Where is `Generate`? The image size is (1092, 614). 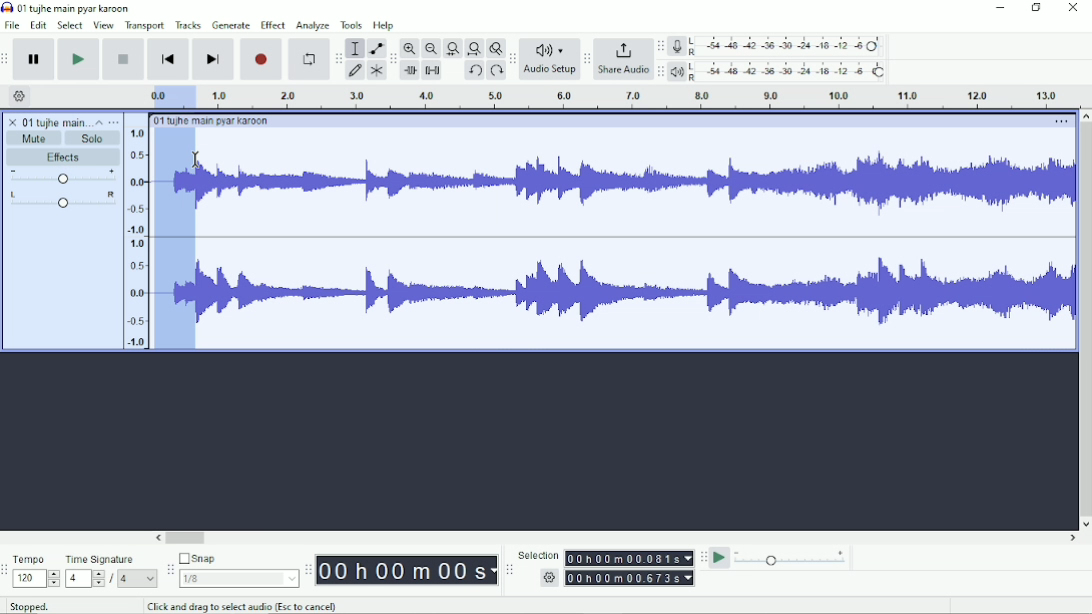 Generate is located at coordinates (231, 25).